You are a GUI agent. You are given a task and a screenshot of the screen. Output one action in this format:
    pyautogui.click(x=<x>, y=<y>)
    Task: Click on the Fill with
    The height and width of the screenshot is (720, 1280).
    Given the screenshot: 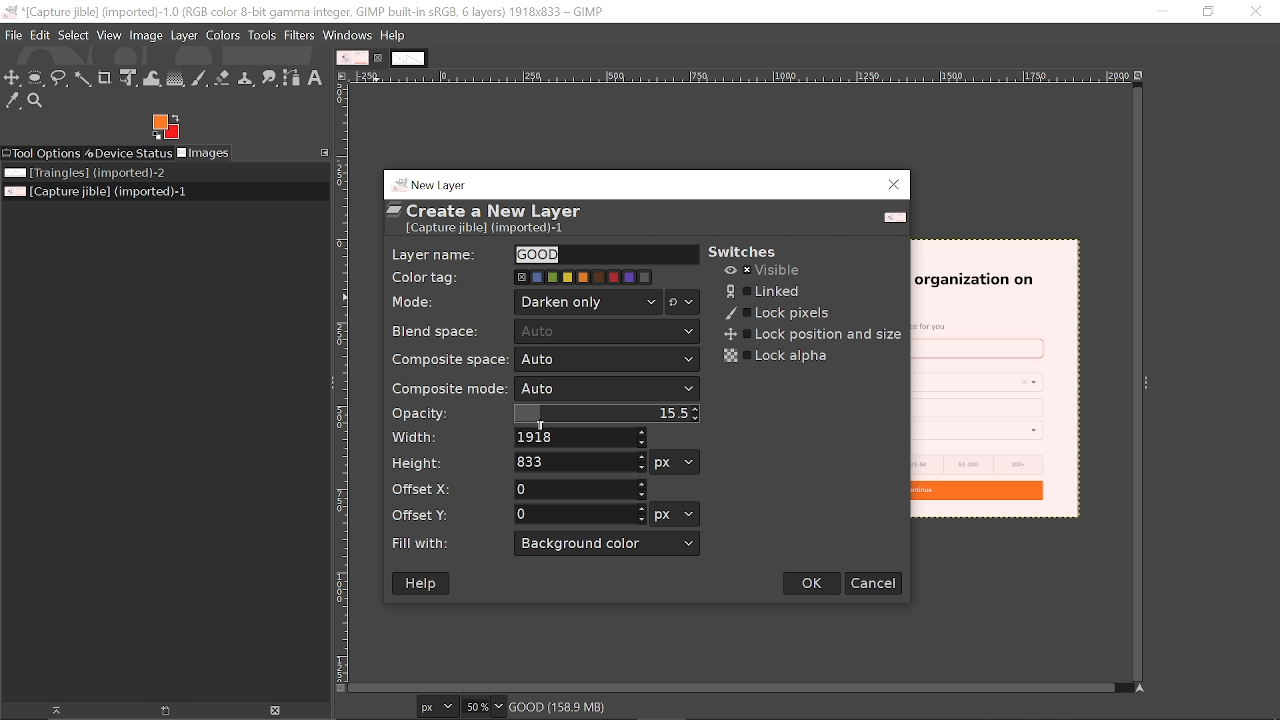 What is the action you would take?
    pyautogui.click(x=608, y=544)
    